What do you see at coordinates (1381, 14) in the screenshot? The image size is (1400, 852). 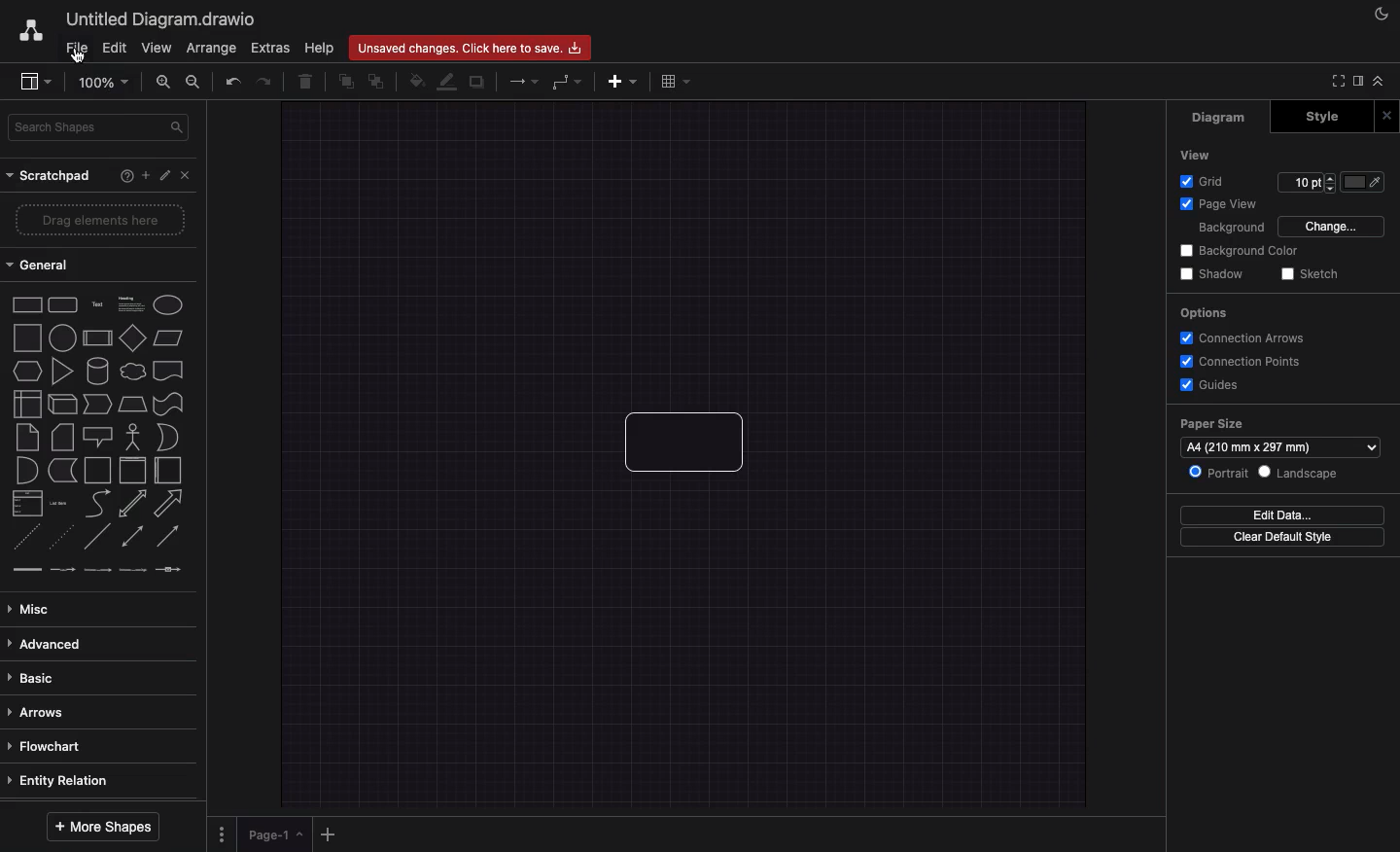 I see `Night mode` at bounding box center [1381, 14].